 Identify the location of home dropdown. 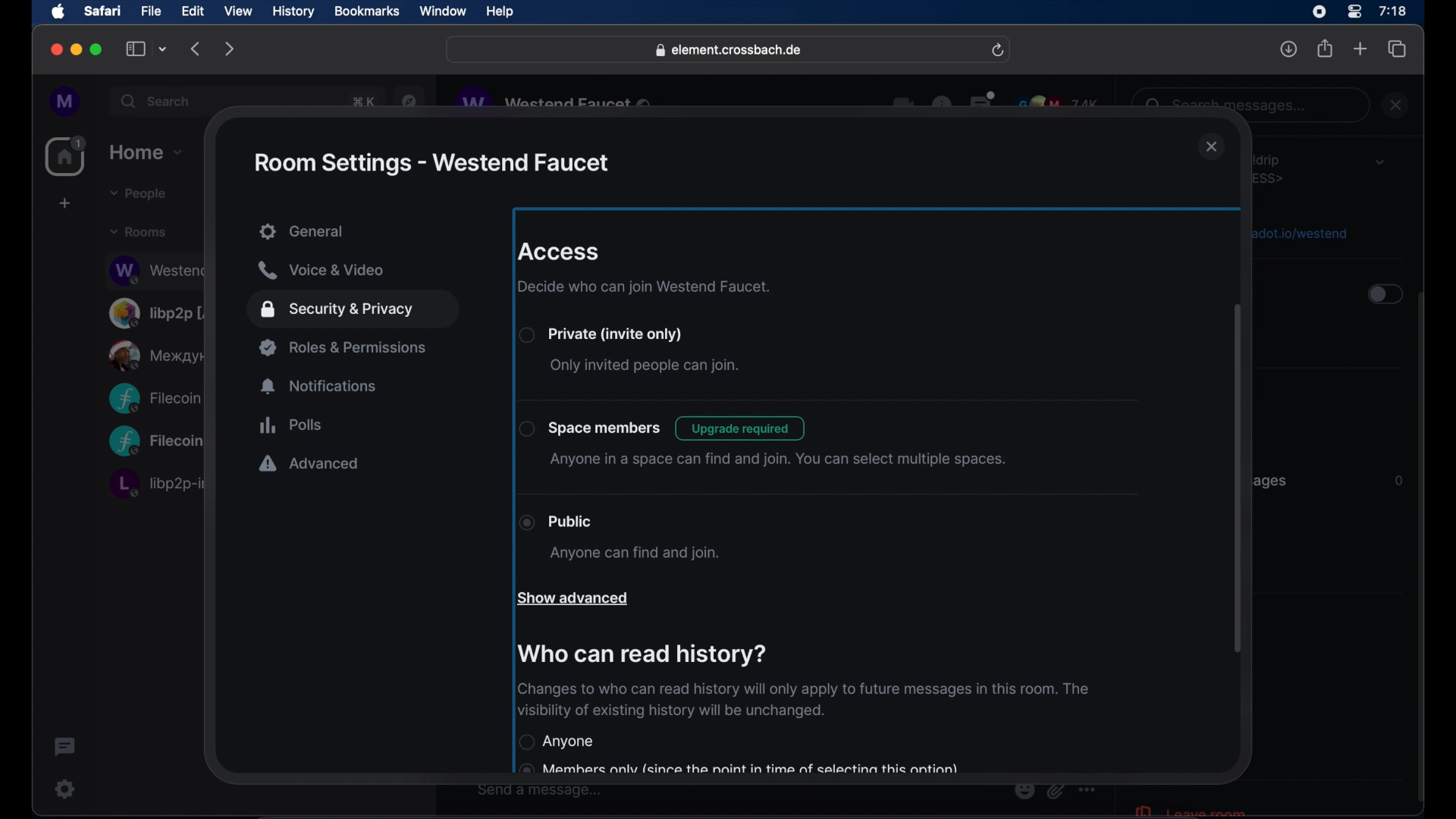
(146, 152).